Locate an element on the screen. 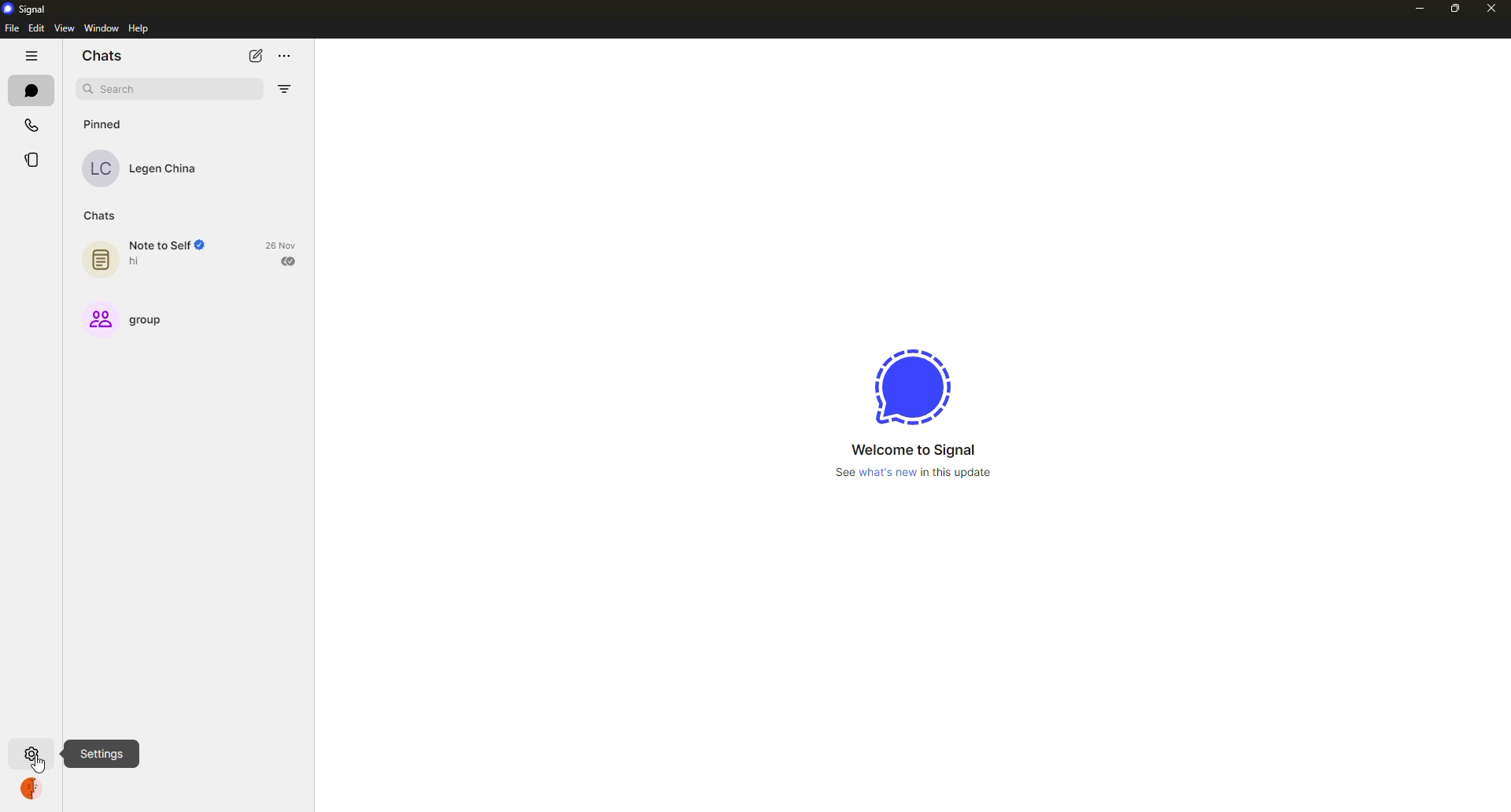 The width and height of the screenshot is (1511, 812). Welcome to Signal is located at coordinates (910, 448).